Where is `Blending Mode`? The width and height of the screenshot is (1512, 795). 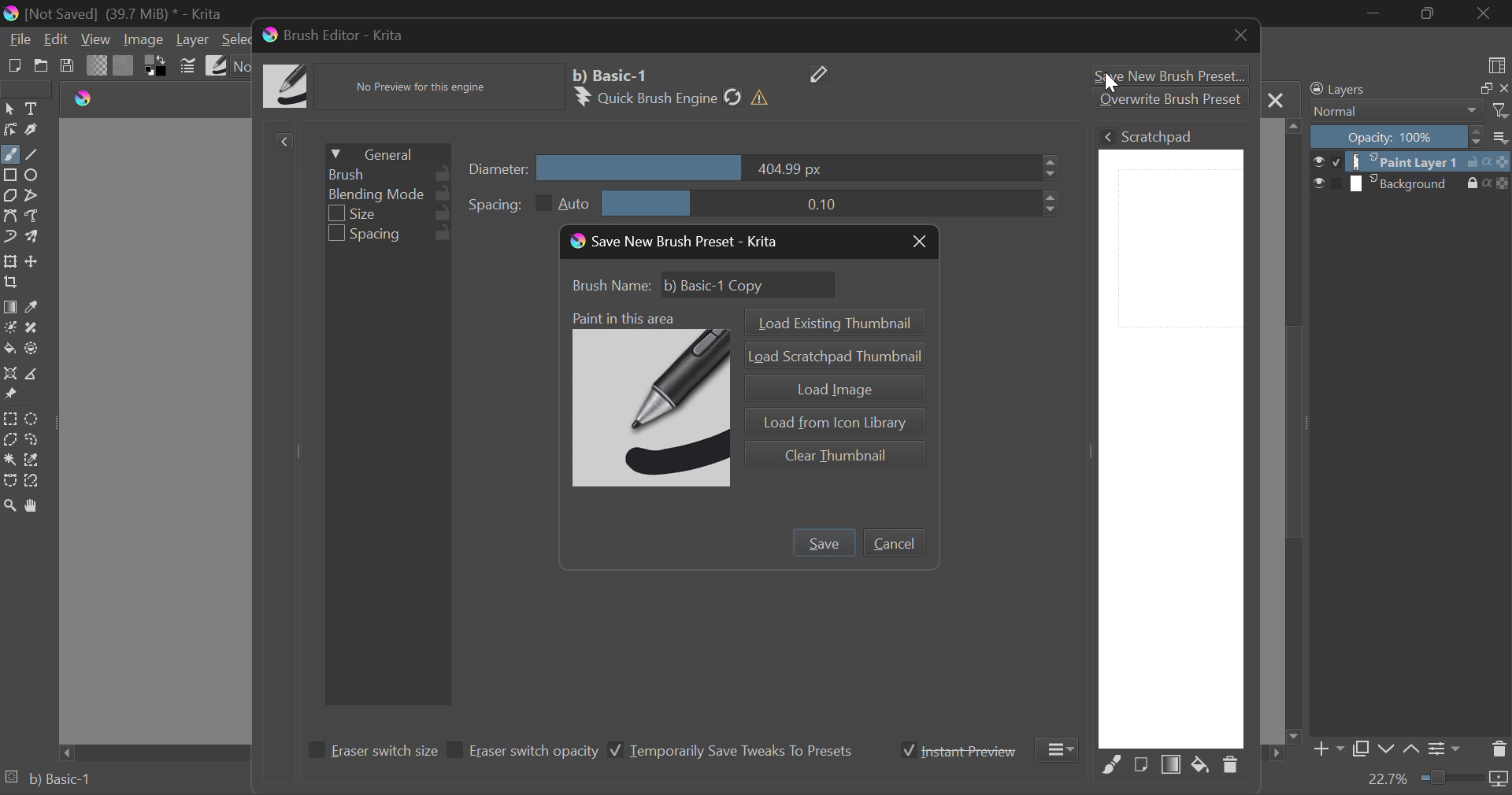
Blending Mode is located at coordinates (388, 194).